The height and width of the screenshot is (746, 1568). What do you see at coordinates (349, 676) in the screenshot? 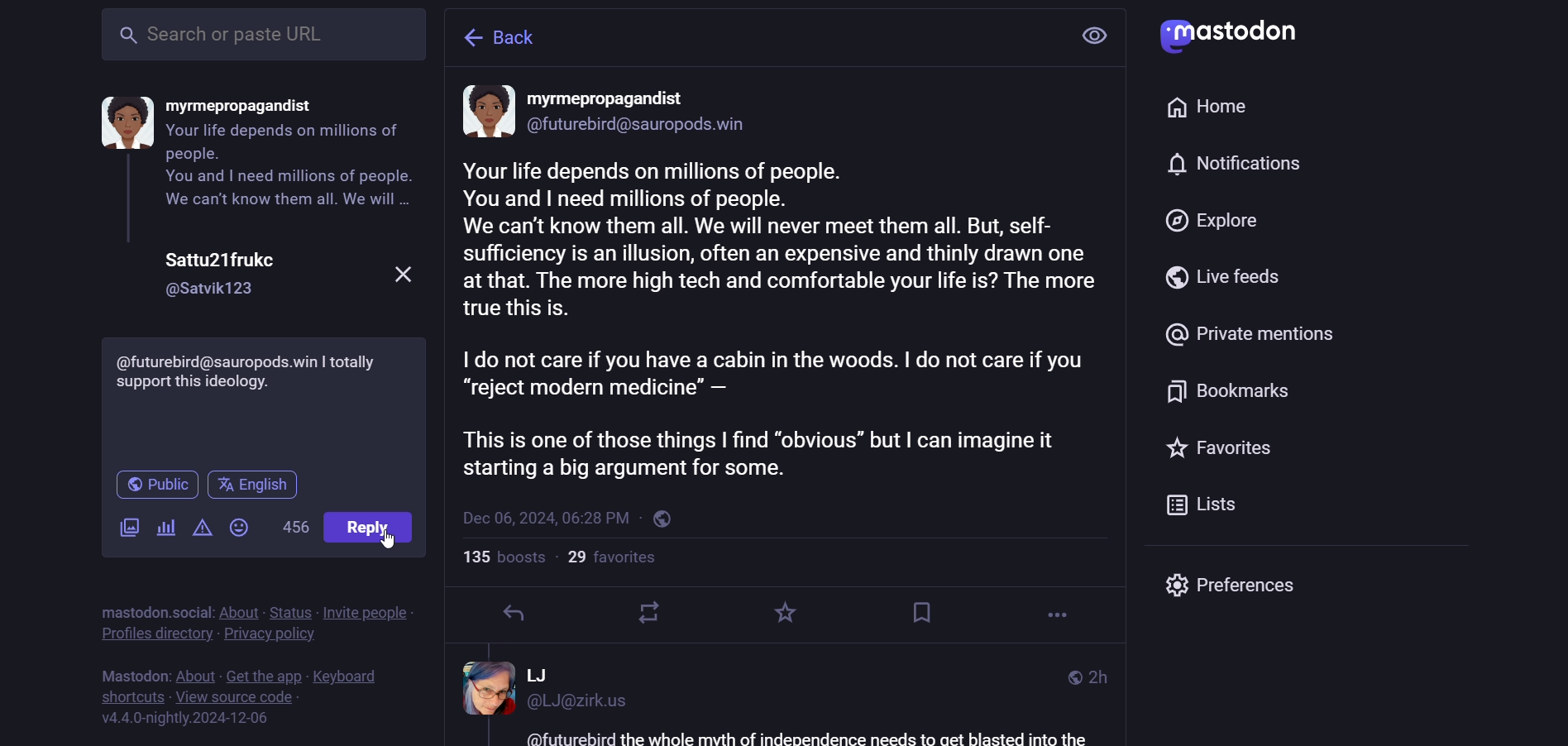
I see `keyboard` at bounding box center [349, 676].